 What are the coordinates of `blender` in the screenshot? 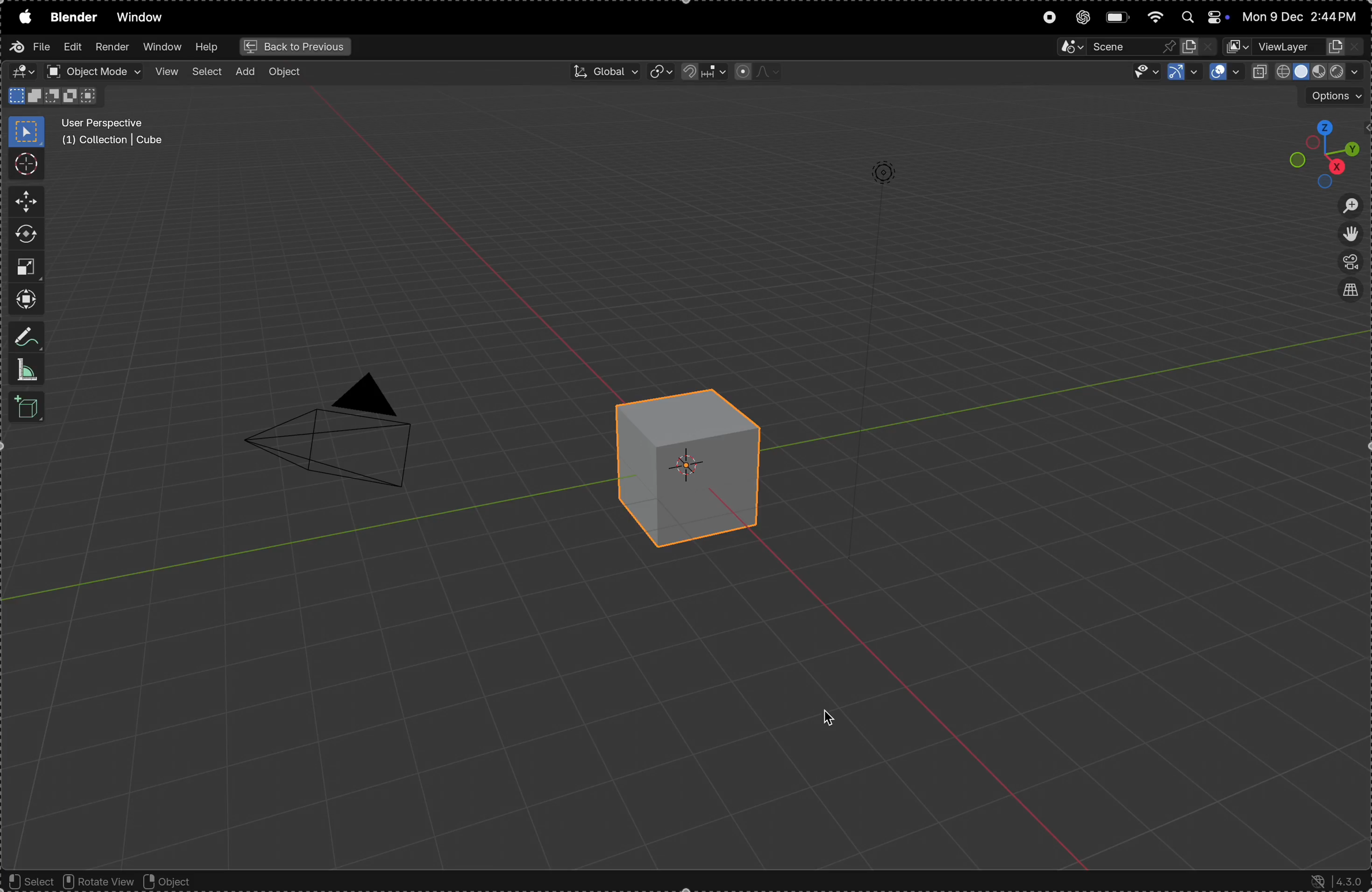 It's located at (72, 20).